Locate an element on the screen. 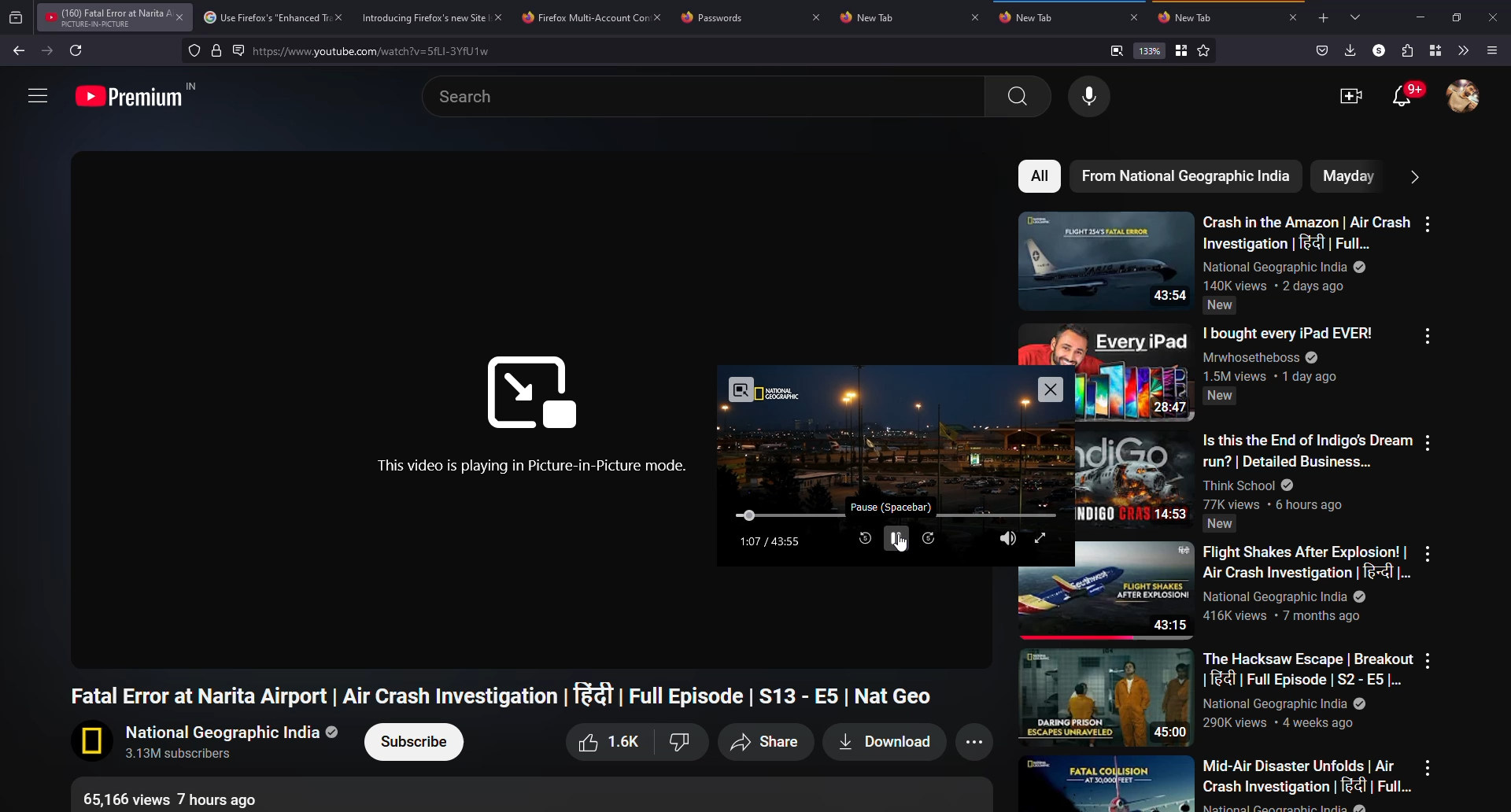  more is located at coordinates (1428, 442).